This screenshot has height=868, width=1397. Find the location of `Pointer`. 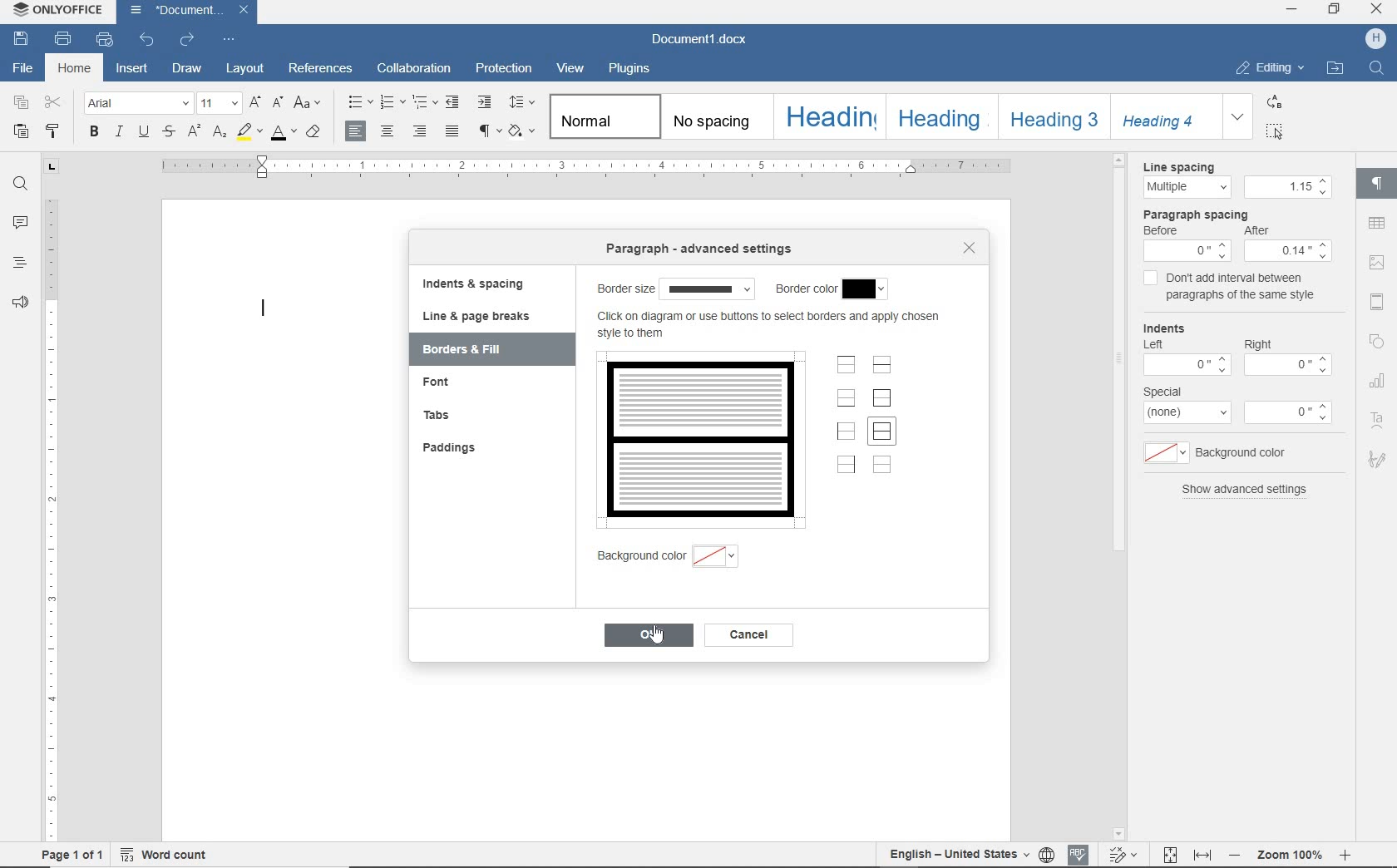

Pointer is located at coordinates (667, 640).